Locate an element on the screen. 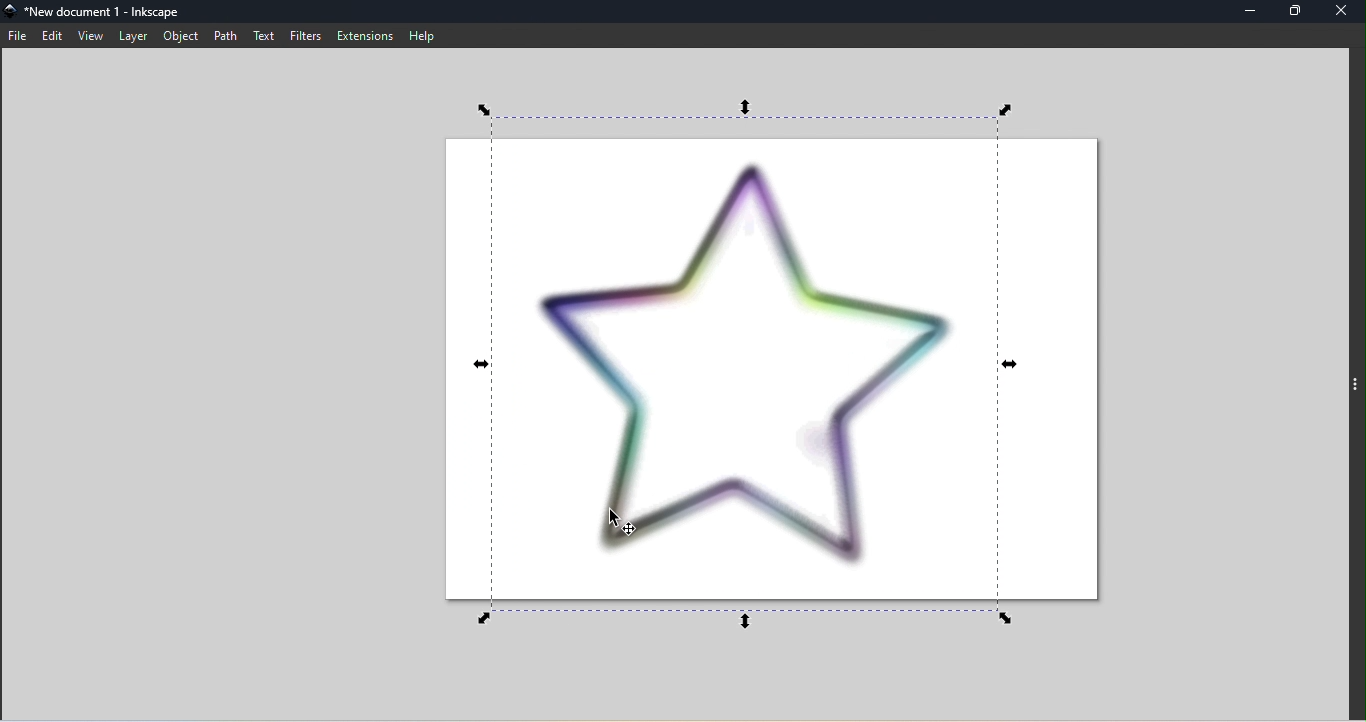 Image resolution: width=1366 pixels, height=722 pixels. Canvas is located at coordinates (763, 365).